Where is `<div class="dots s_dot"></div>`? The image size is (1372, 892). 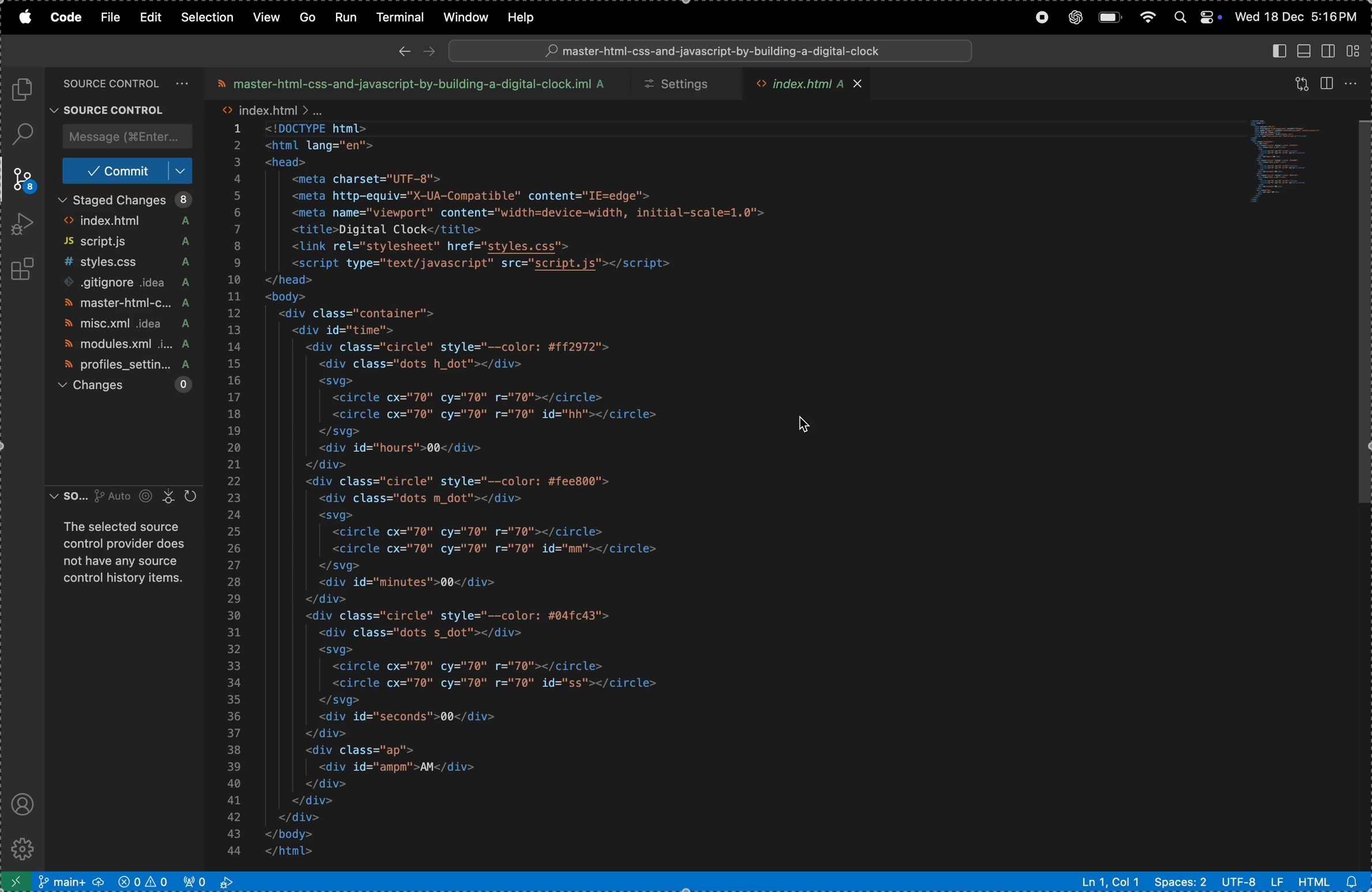 <div class="dots s_dot"></div> is located at coordinates (432, 633).